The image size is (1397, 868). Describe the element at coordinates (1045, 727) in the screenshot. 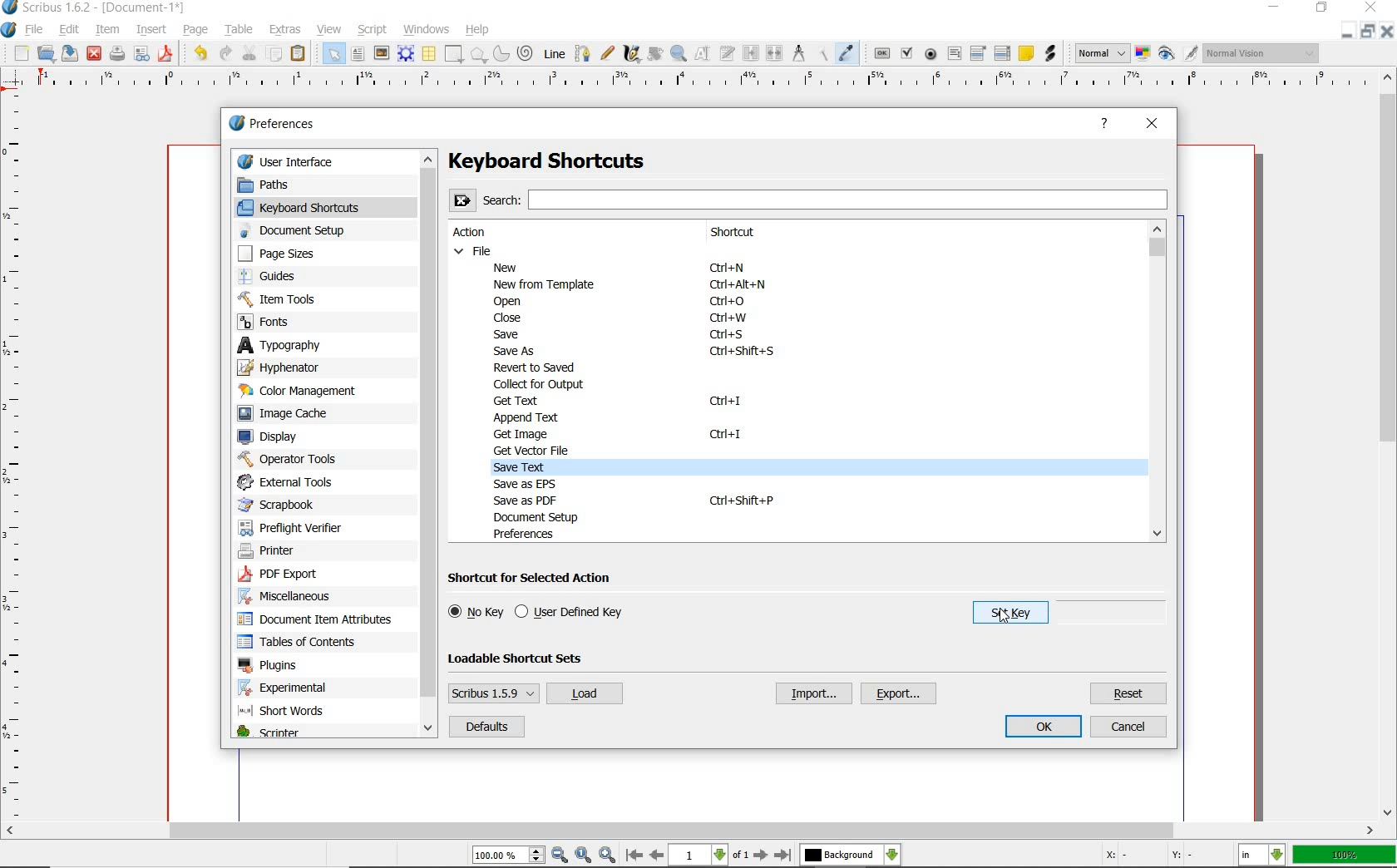

I see `ok` at that location.